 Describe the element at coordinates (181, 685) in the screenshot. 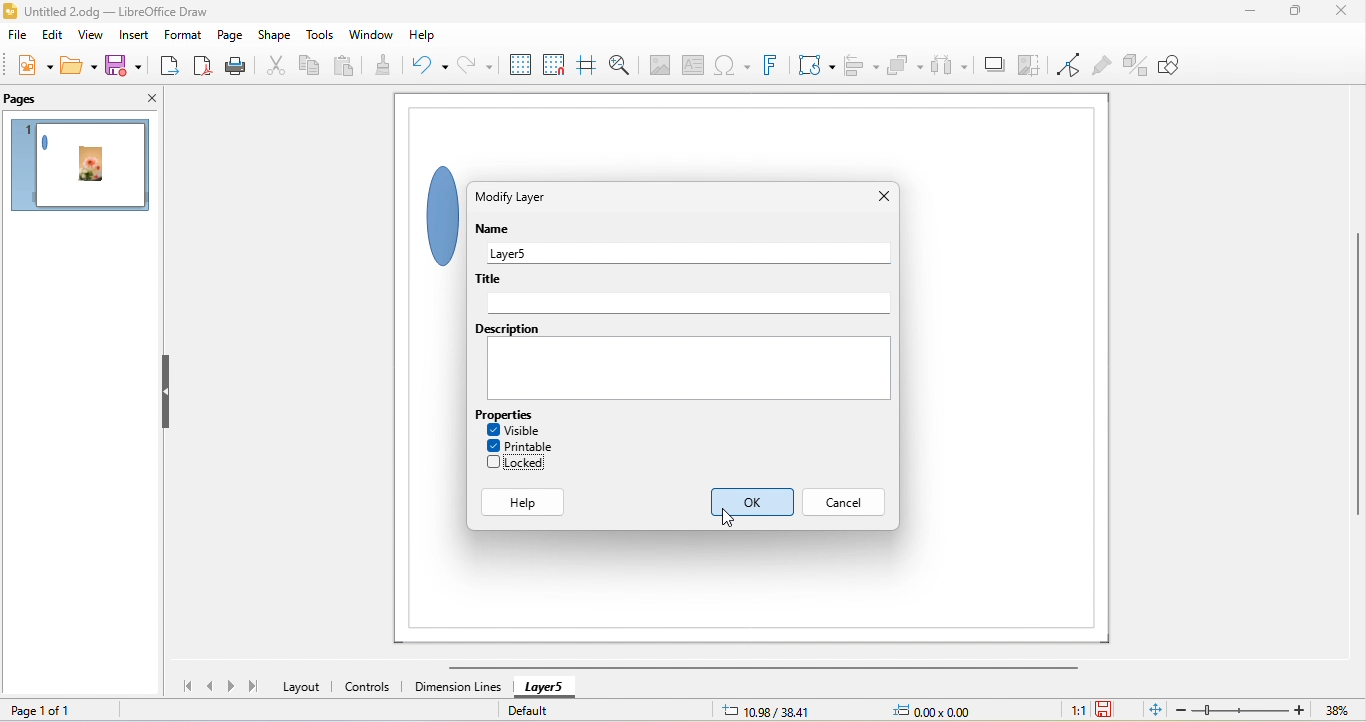

I see `first page` at that location.